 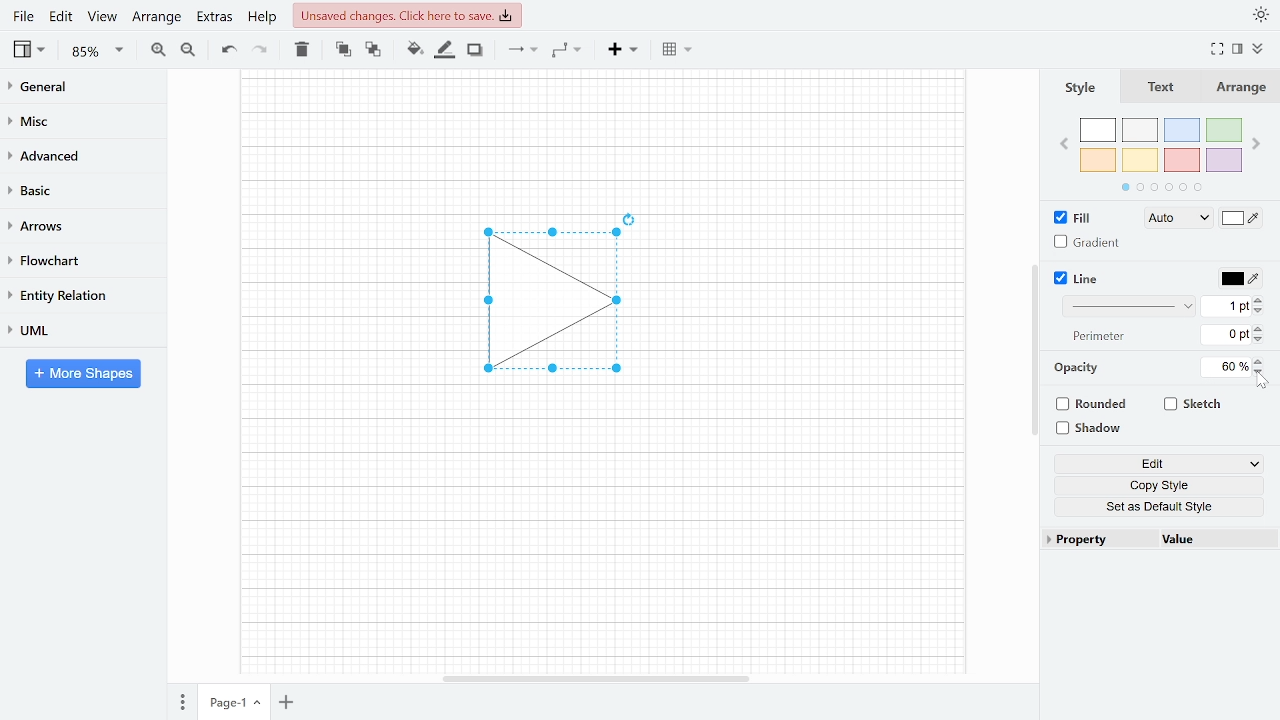 What do you see at coordinates (1258, 140) in the screenshot?
I see `Next` at bounding box center [1258, 140].